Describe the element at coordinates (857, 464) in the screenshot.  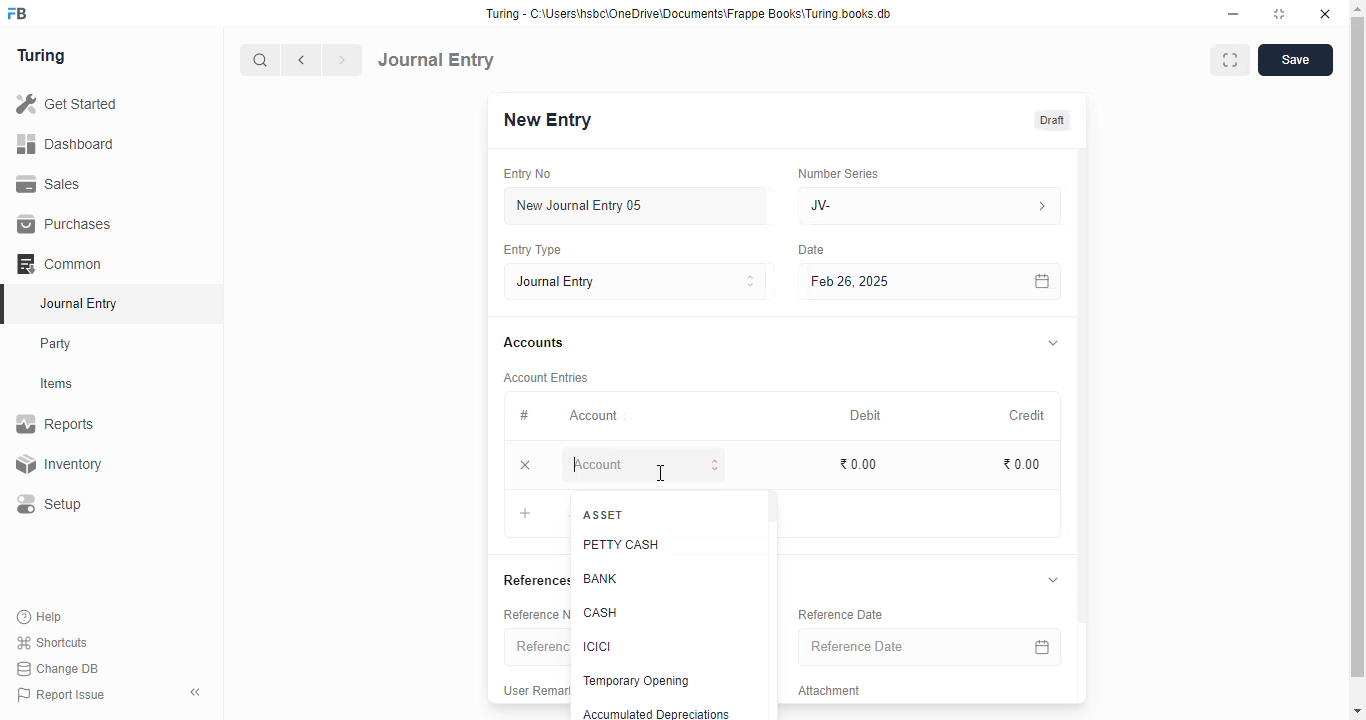
I see `₹0.00` at that location.